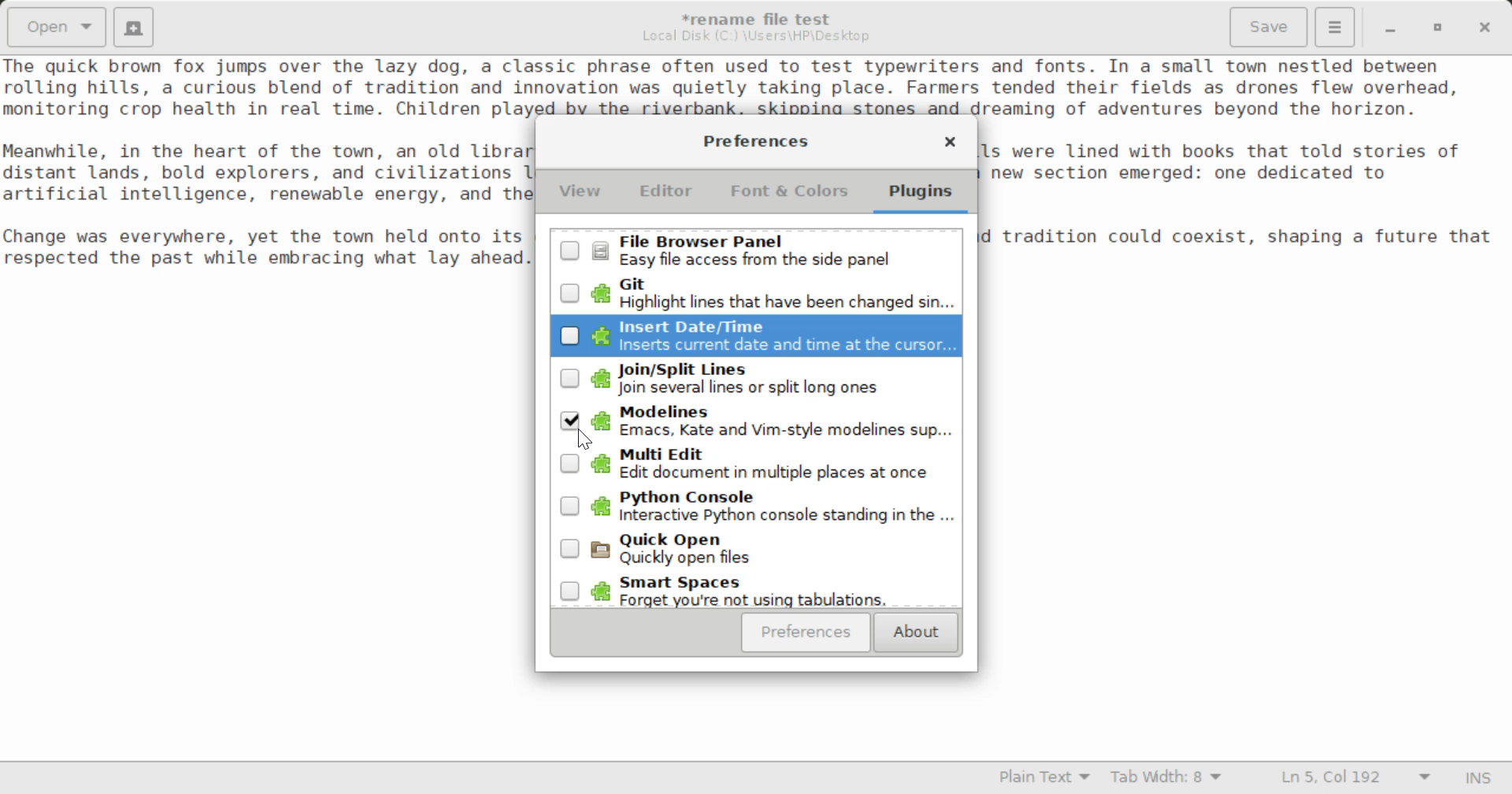 The height and width of the screenshot is (794, 1512). Describe the element at coordinates (757, 555) in the screenshot. I see `Unselected Quickly Open Plugin` at that location.